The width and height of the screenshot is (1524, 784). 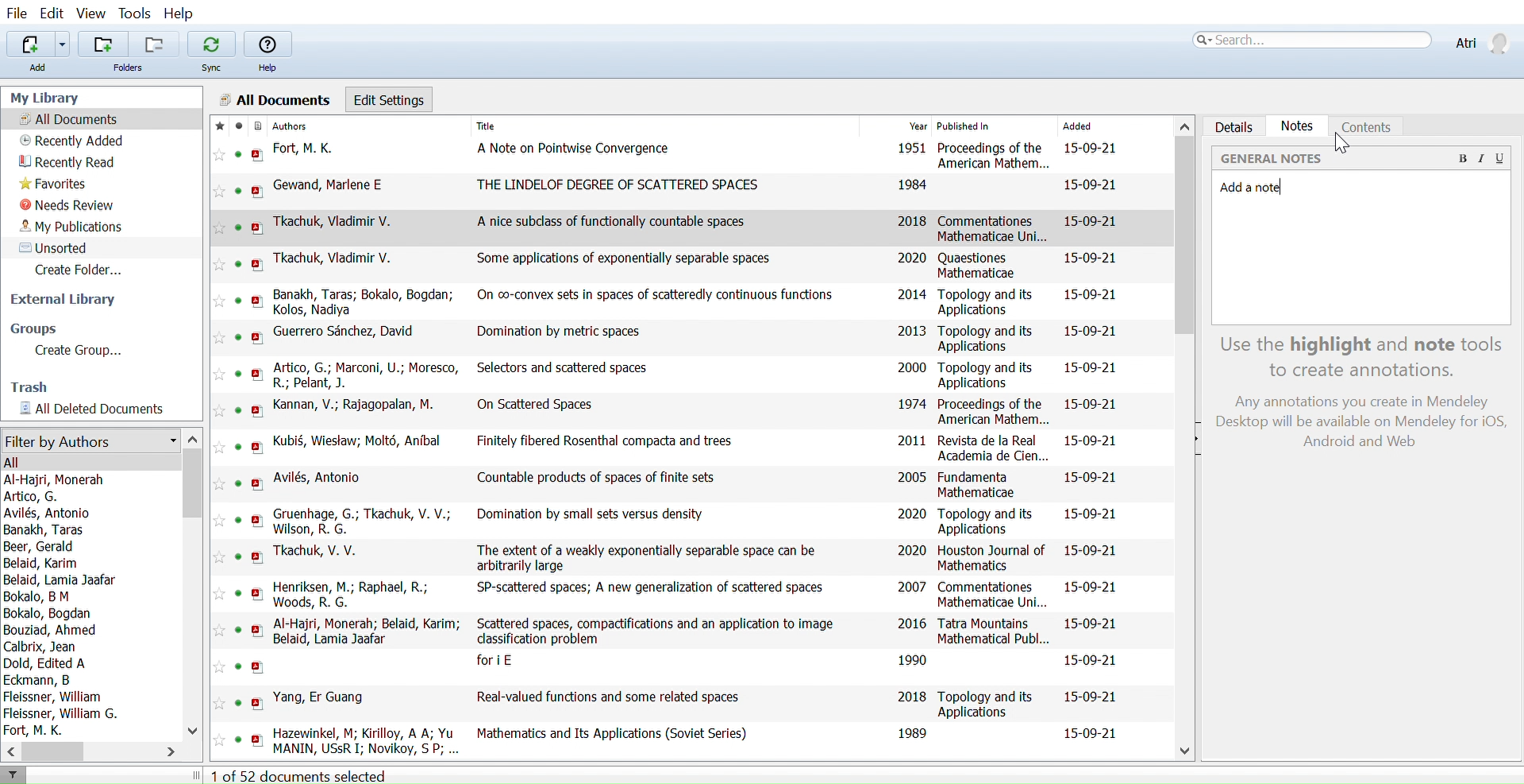 I want to click on Avilés, Antonio, so click(x=47, y=513).